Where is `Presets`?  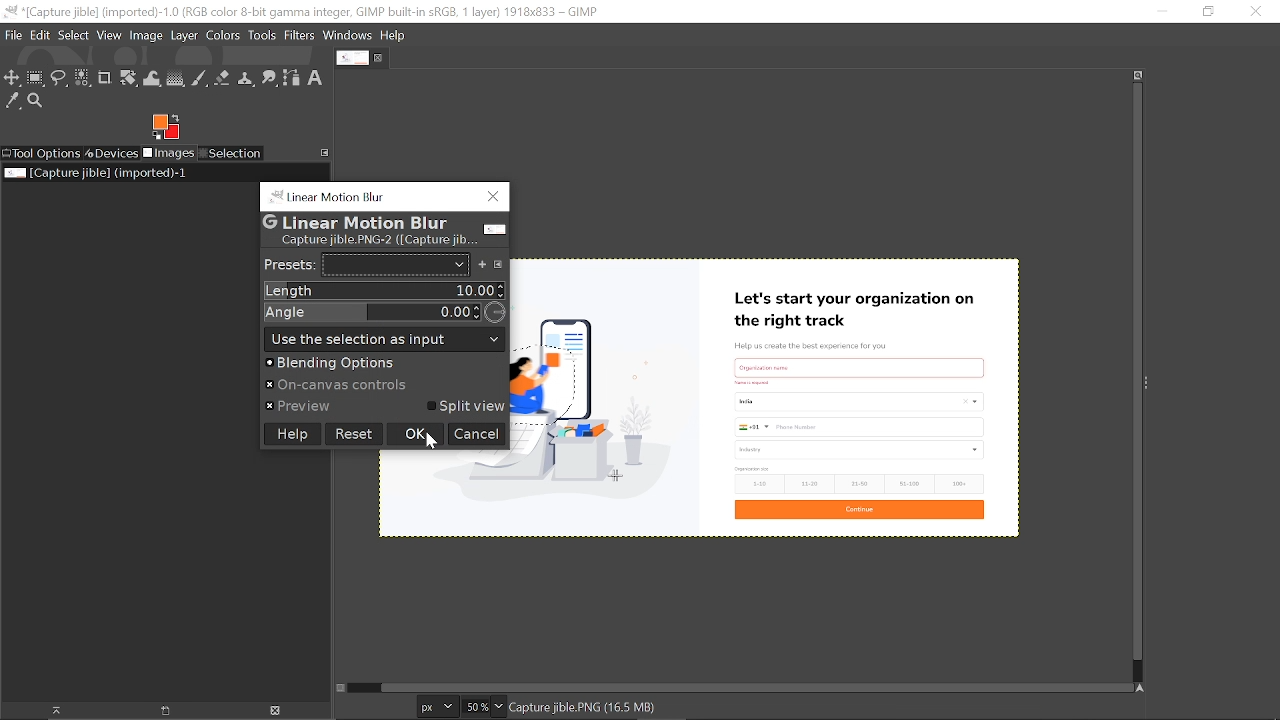 Presets is located at coordinates (395, 264).